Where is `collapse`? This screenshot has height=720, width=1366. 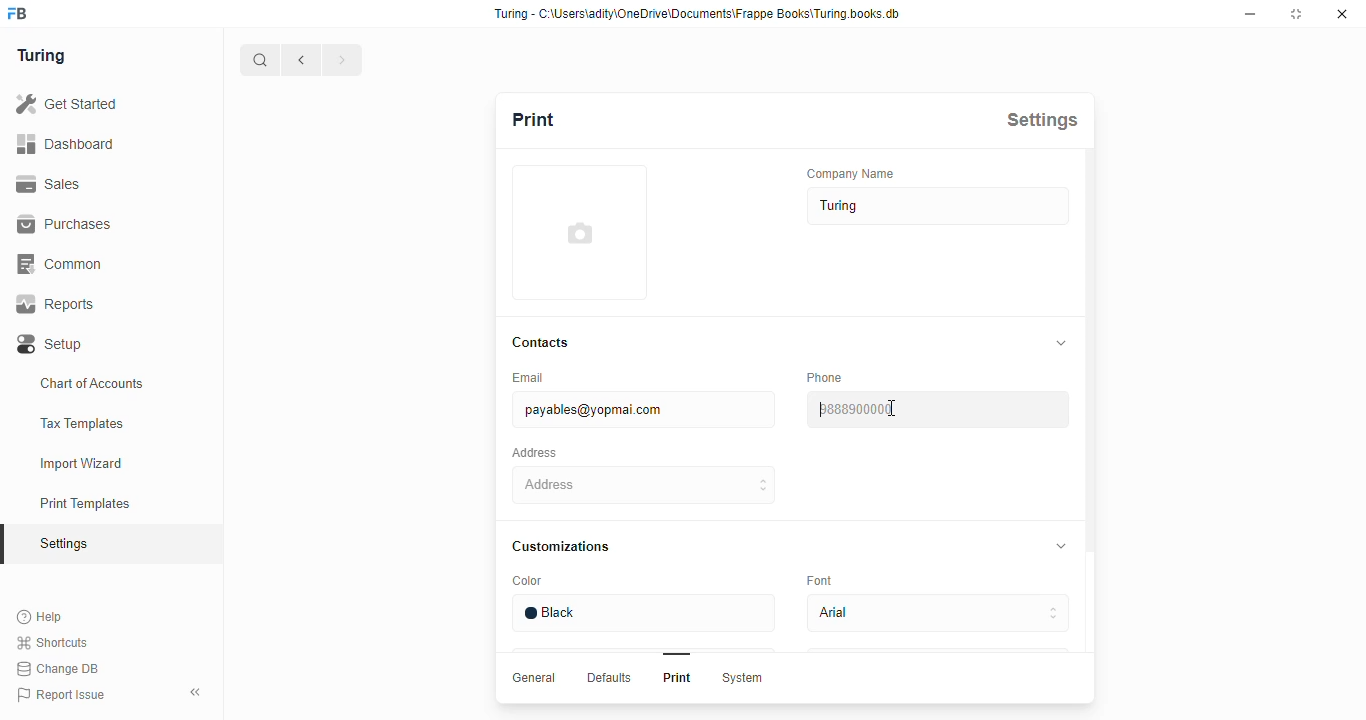 collapse is located at coordinates (1057, 546).